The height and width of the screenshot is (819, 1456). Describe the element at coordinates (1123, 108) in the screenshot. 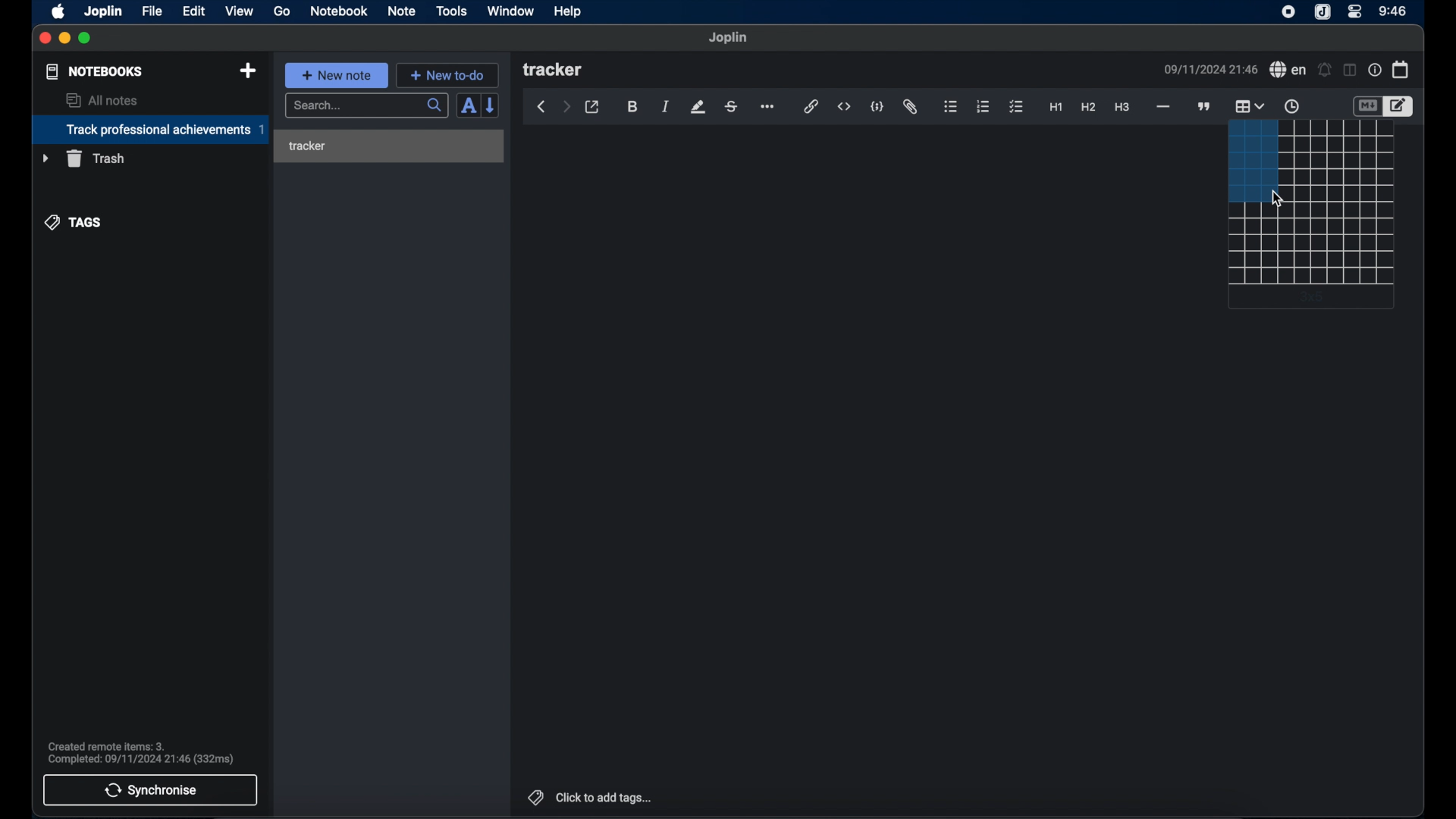

I see `heading 3` at that location.